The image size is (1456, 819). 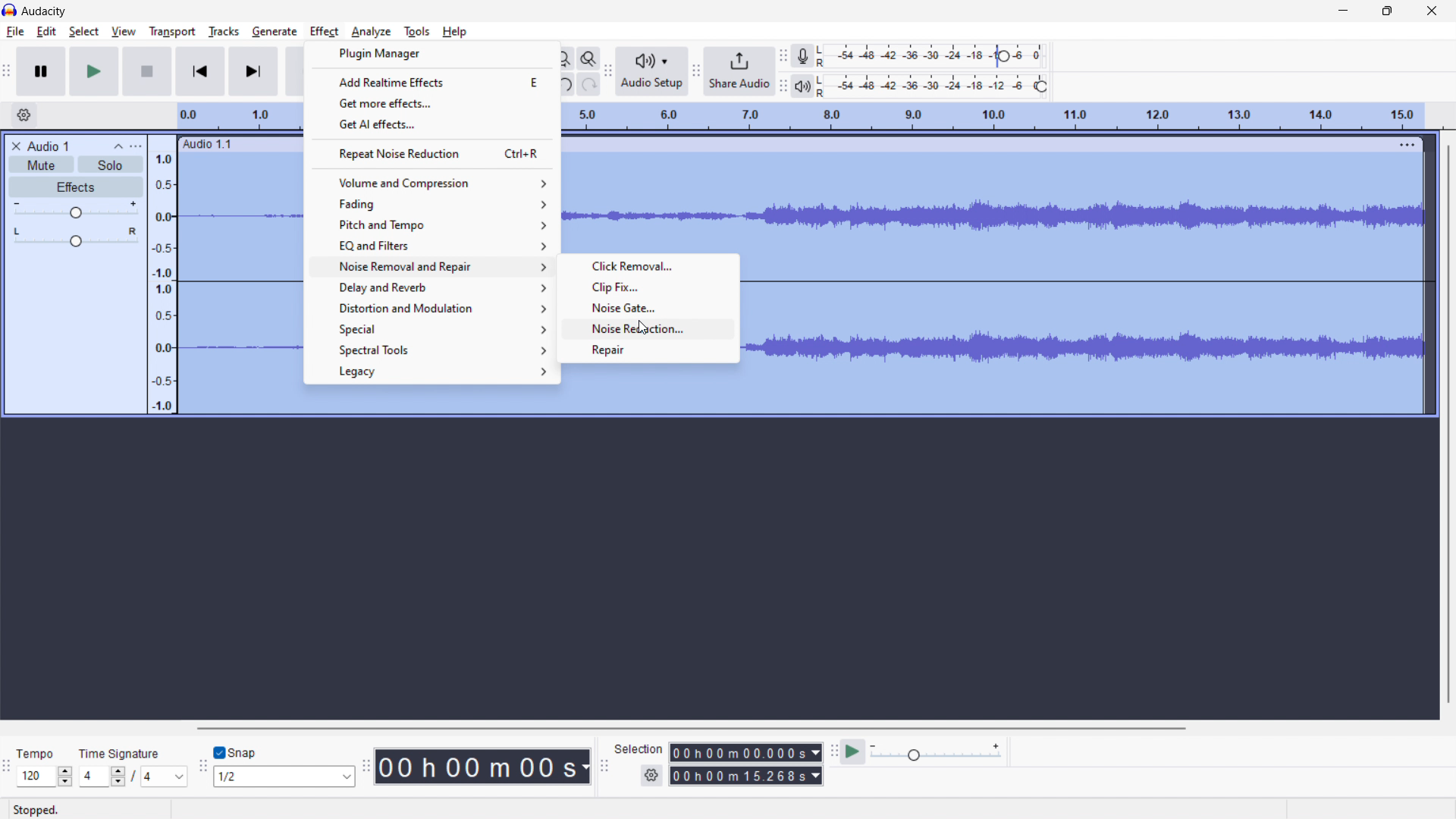 What do you see at coordinates (607, 71) in the screenshot?
I see `audio setup toolbar` at bounding box center [607, 71].